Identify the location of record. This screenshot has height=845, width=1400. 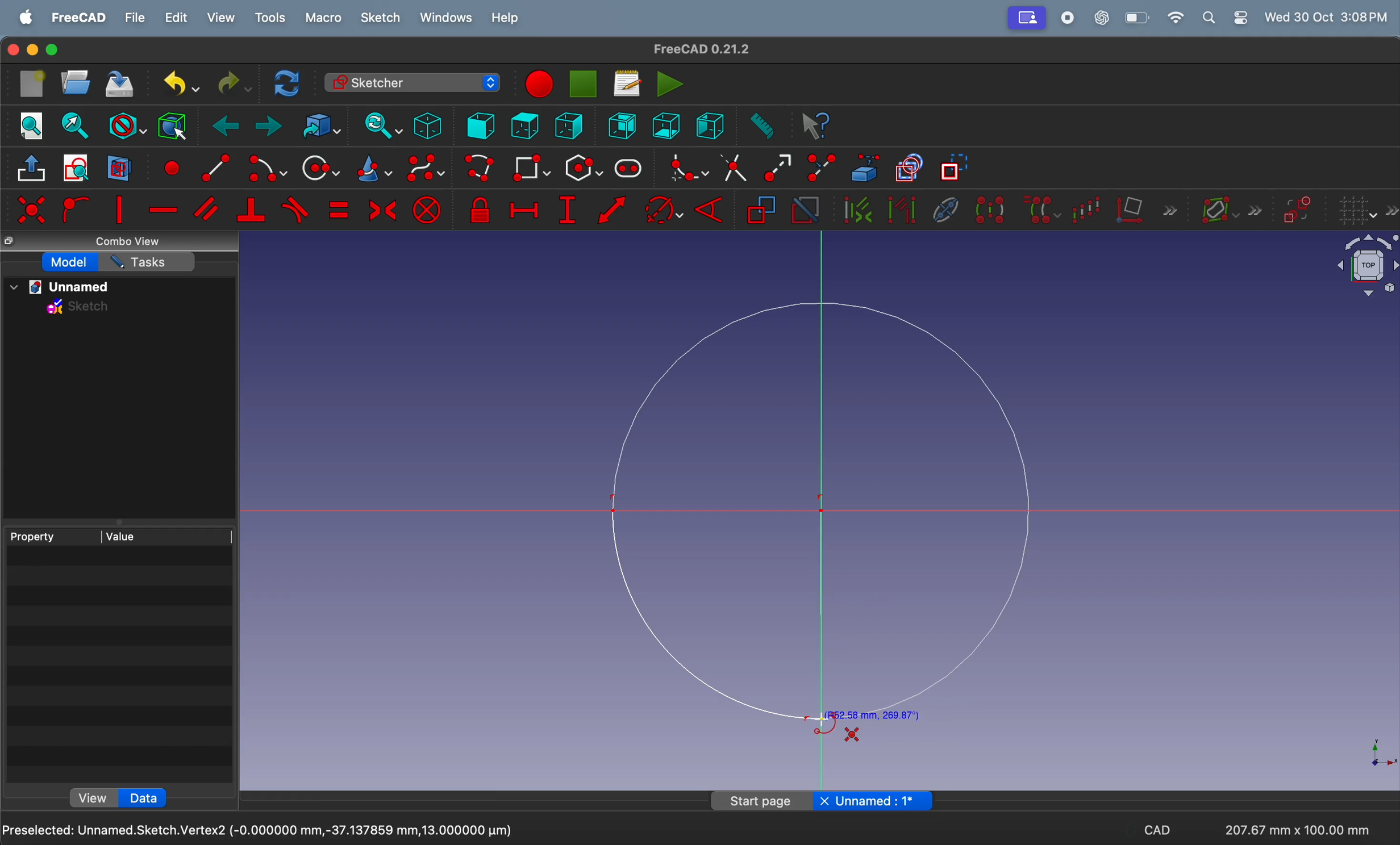
(1070, 18).